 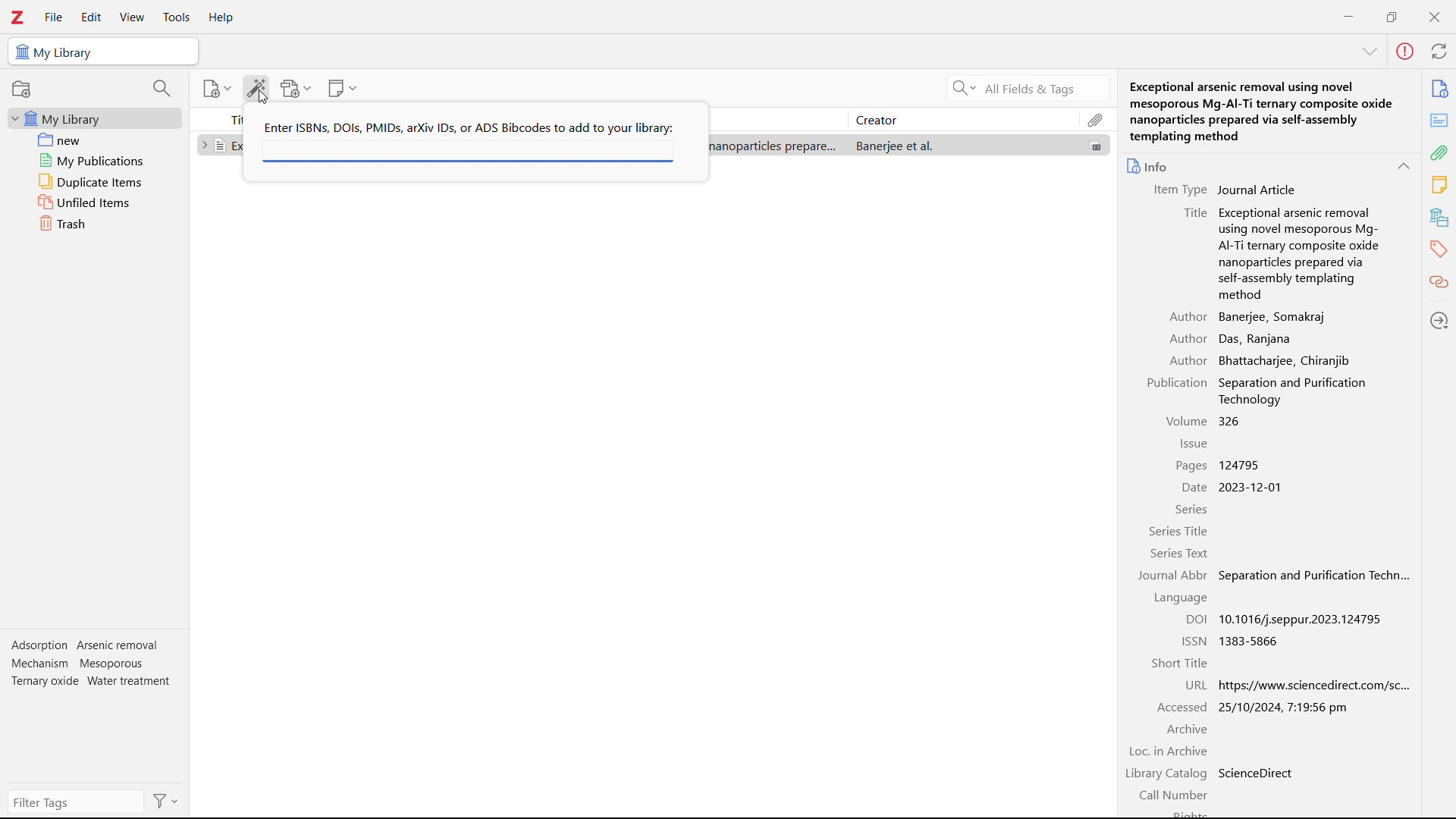 I want to click on duplicate items, so click(x=96, y=181).